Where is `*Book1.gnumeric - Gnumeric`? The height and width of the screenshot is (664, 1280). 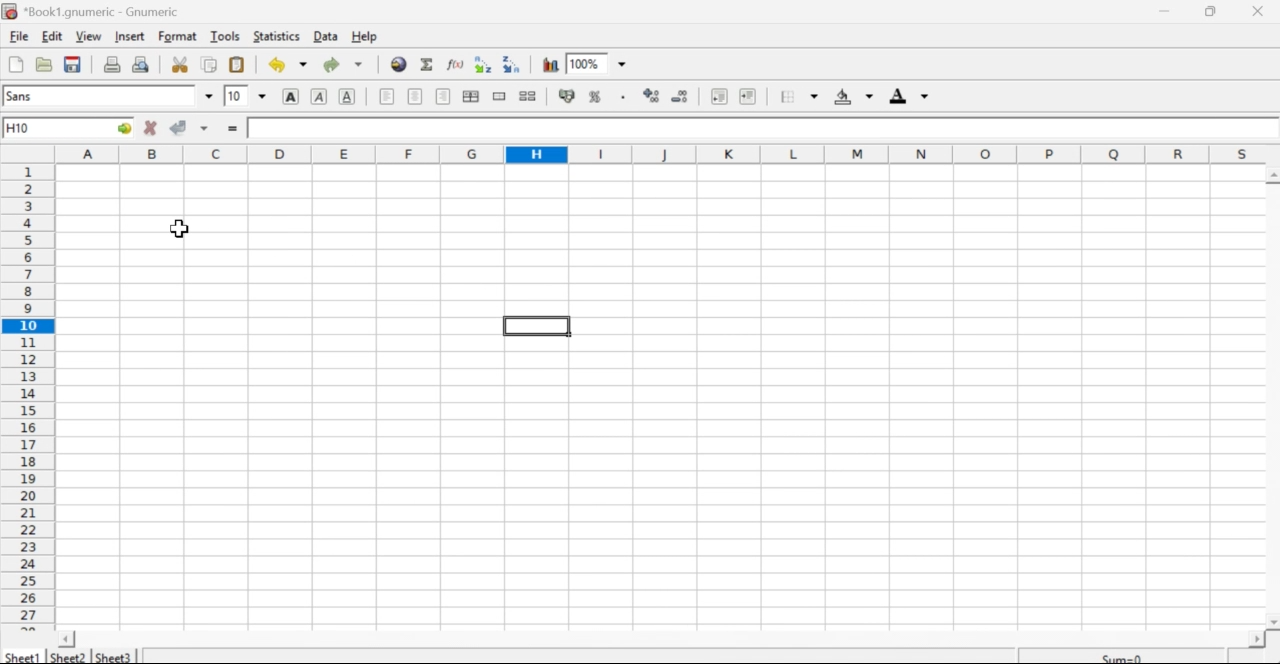 *Book1.gnumeric - Gnumeric is located at coordinates (107, 11).